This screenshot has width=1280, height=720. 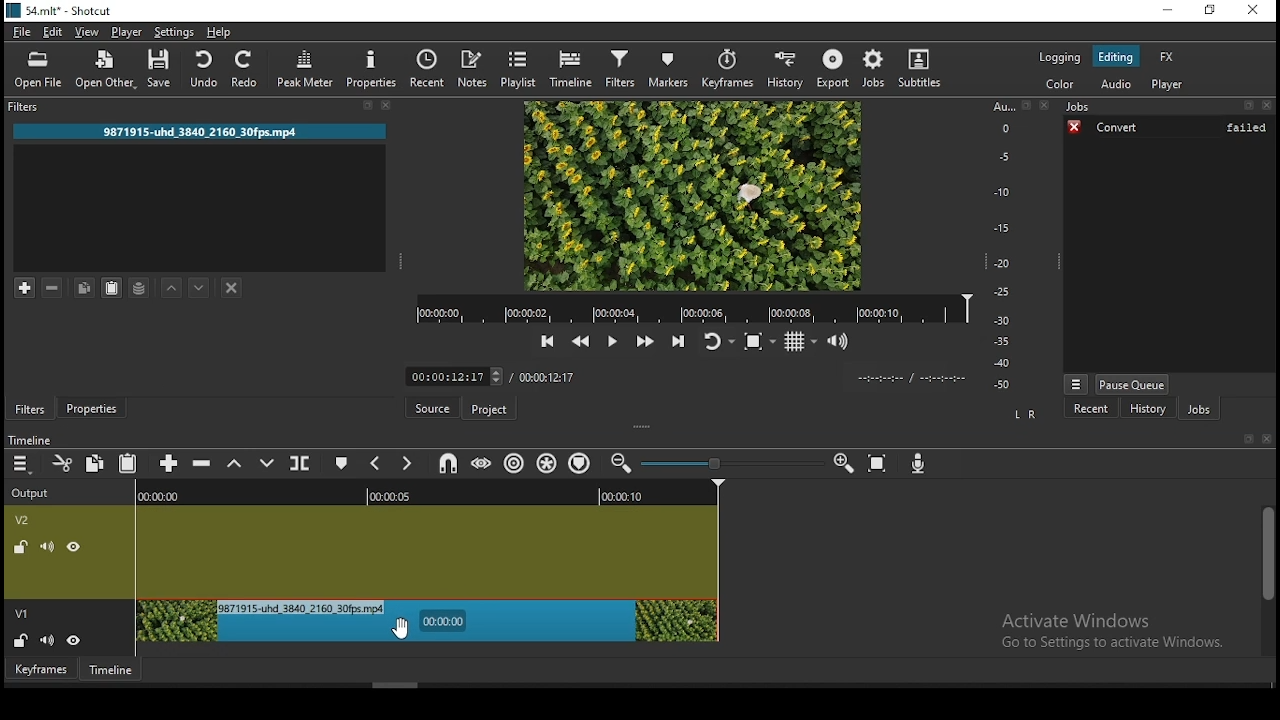 What do you see at coordinates (1082, 407) in the screenshot?
I see `recent` at bounding box center [1082, 407].